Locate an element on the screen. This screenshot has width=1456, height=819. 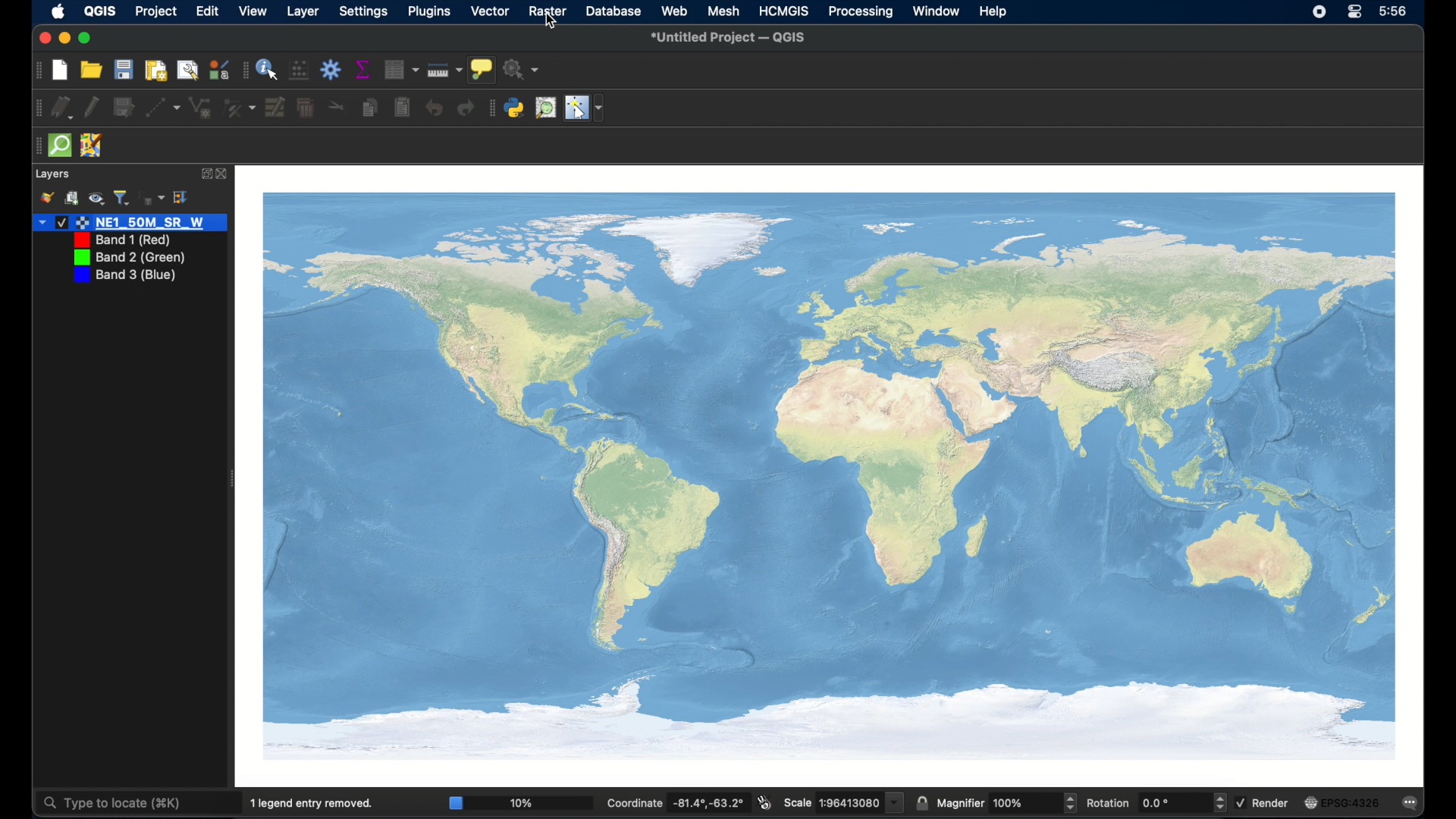
expand is located at coordinates (184, 198).